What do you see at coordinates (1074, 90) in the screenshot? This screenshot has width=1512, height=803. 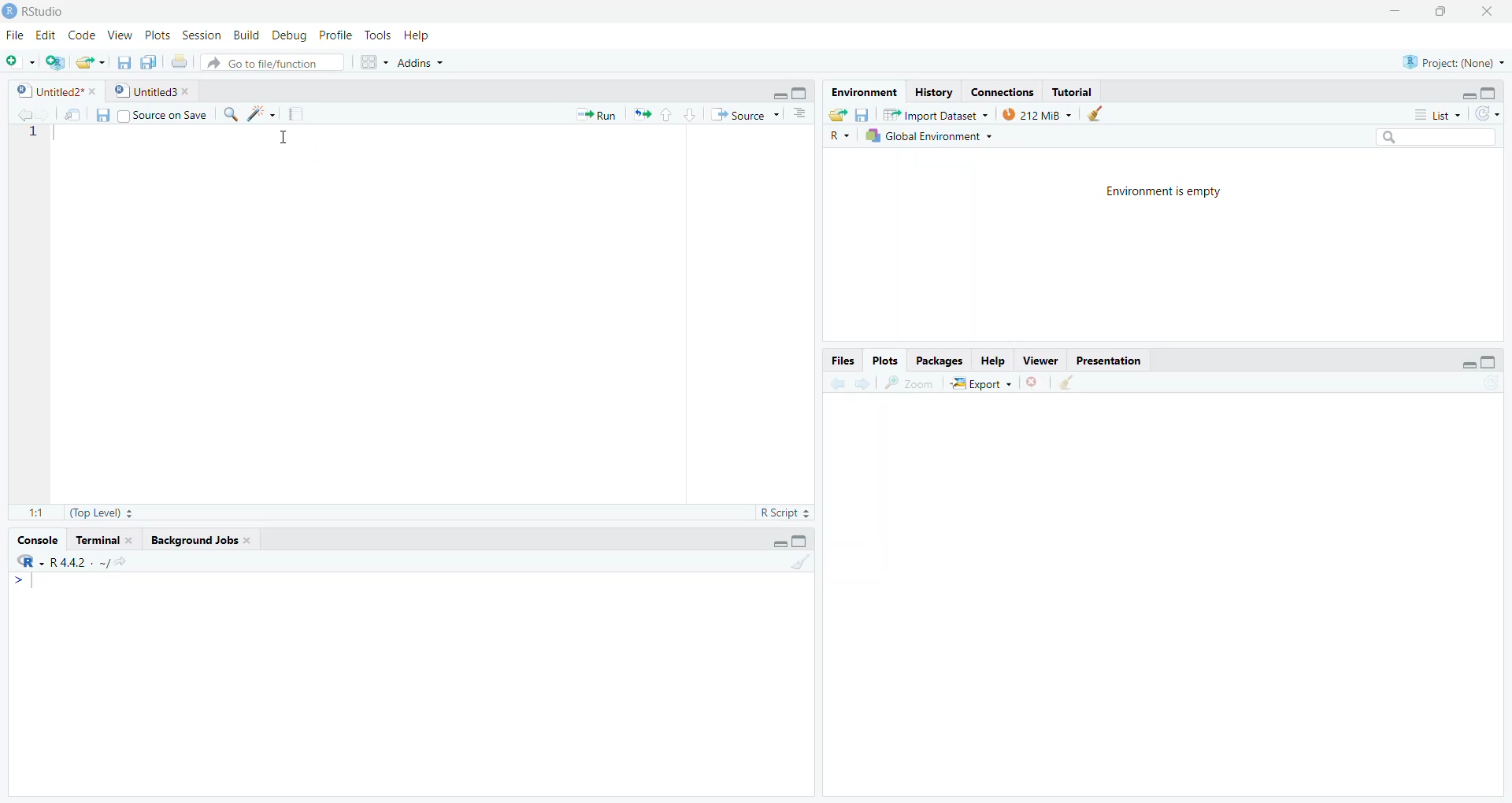 I see `tutorial` at bounding box center [1074, 90].